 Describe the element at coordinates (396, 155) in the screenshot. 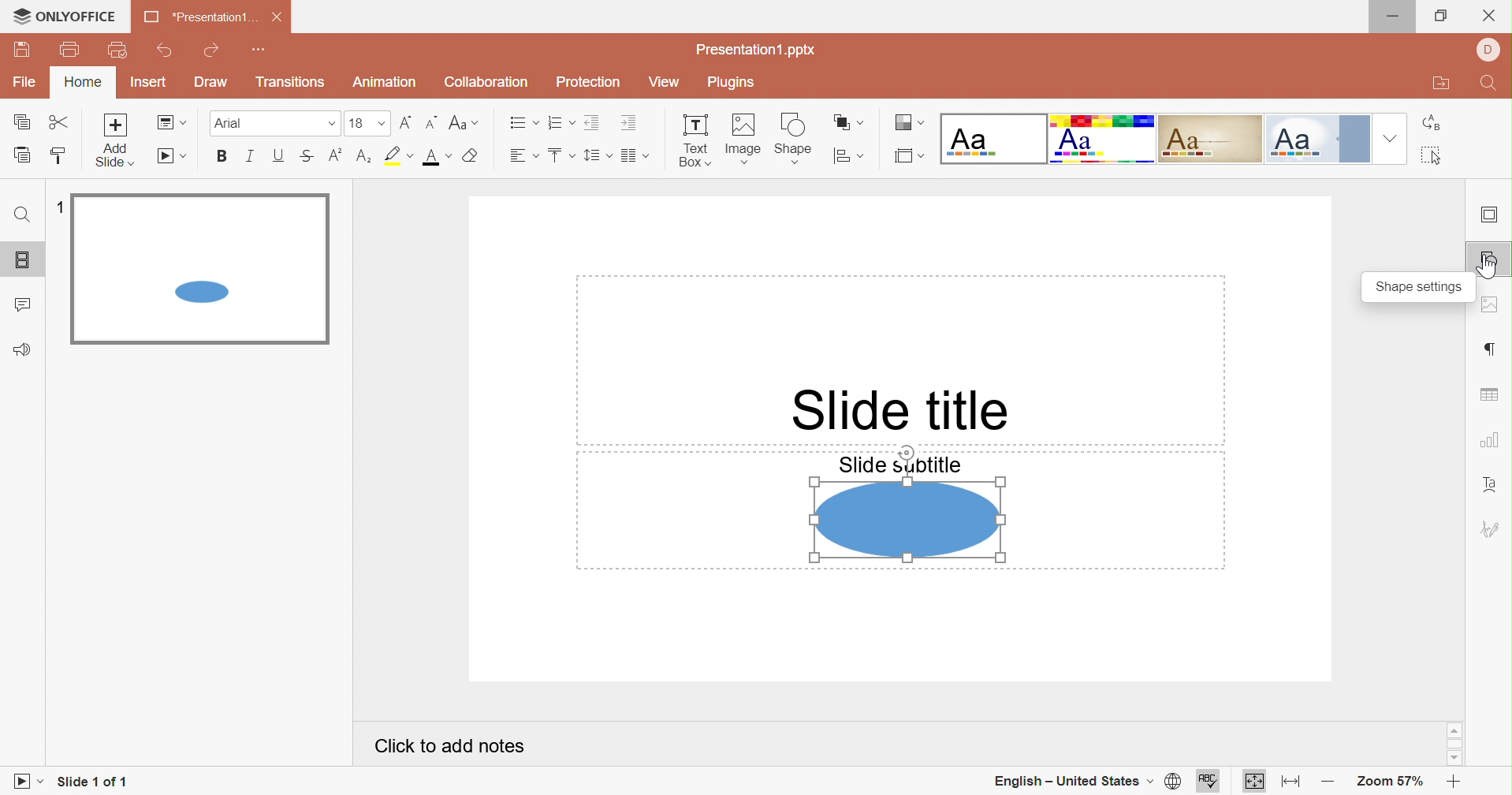

I see `Highlight color` at that location.